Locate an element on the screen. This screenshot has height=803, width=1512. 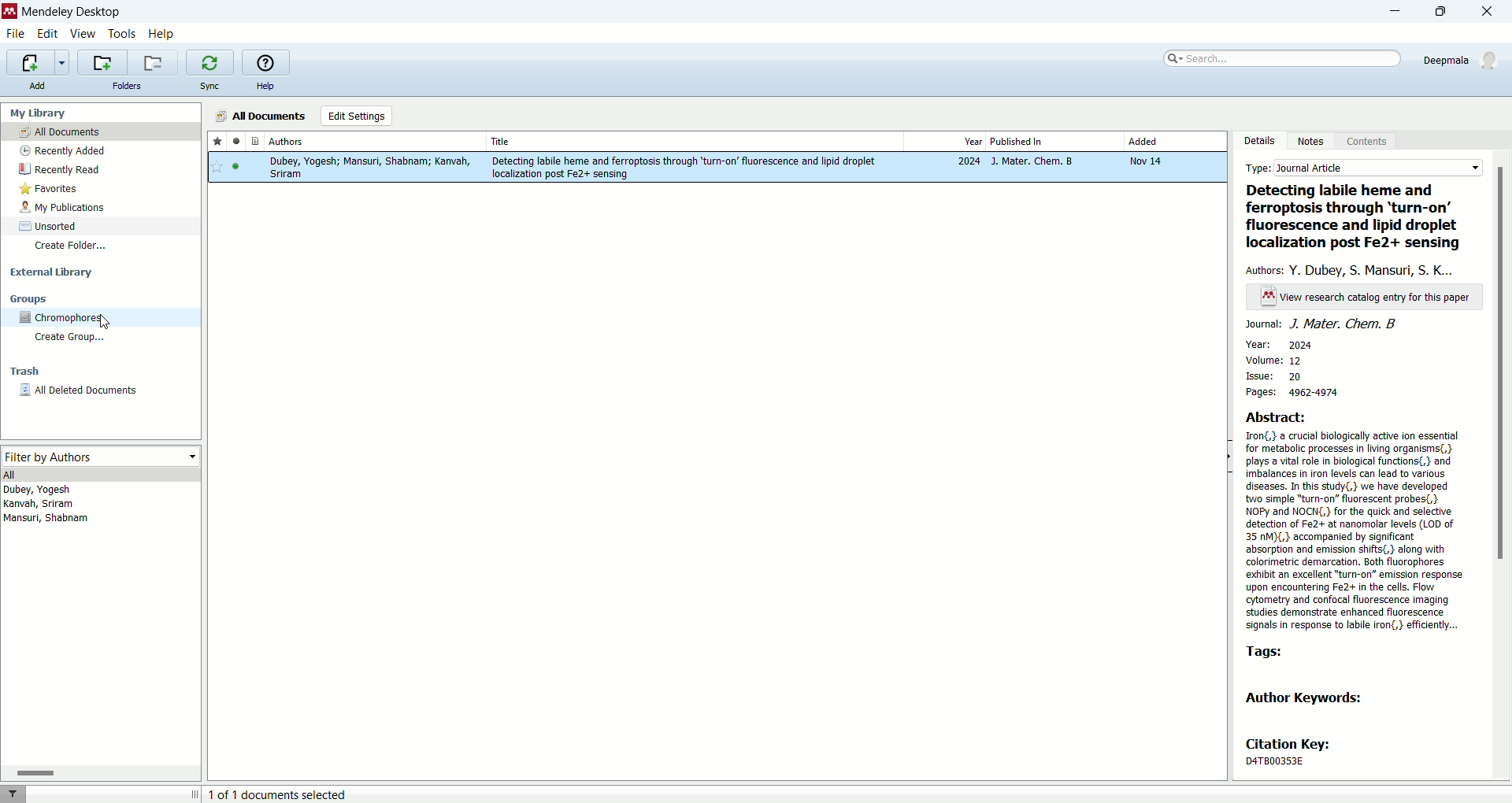
horizontal scroll bar is located at coordinates (100, 773).